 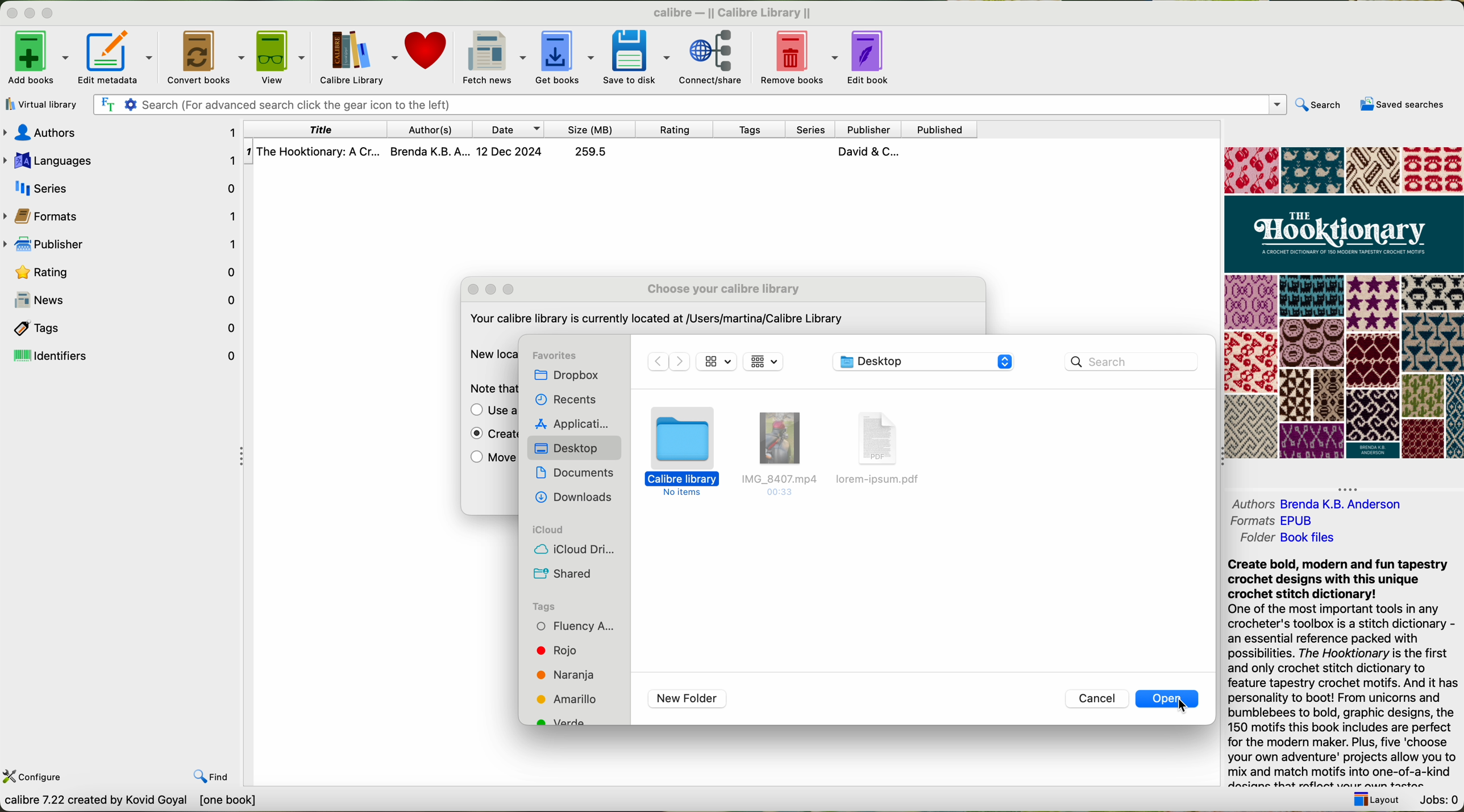 What do you see at coordinates (30, 13) in the screenshot?
I see `minimize` at bounding box center [30, 13].